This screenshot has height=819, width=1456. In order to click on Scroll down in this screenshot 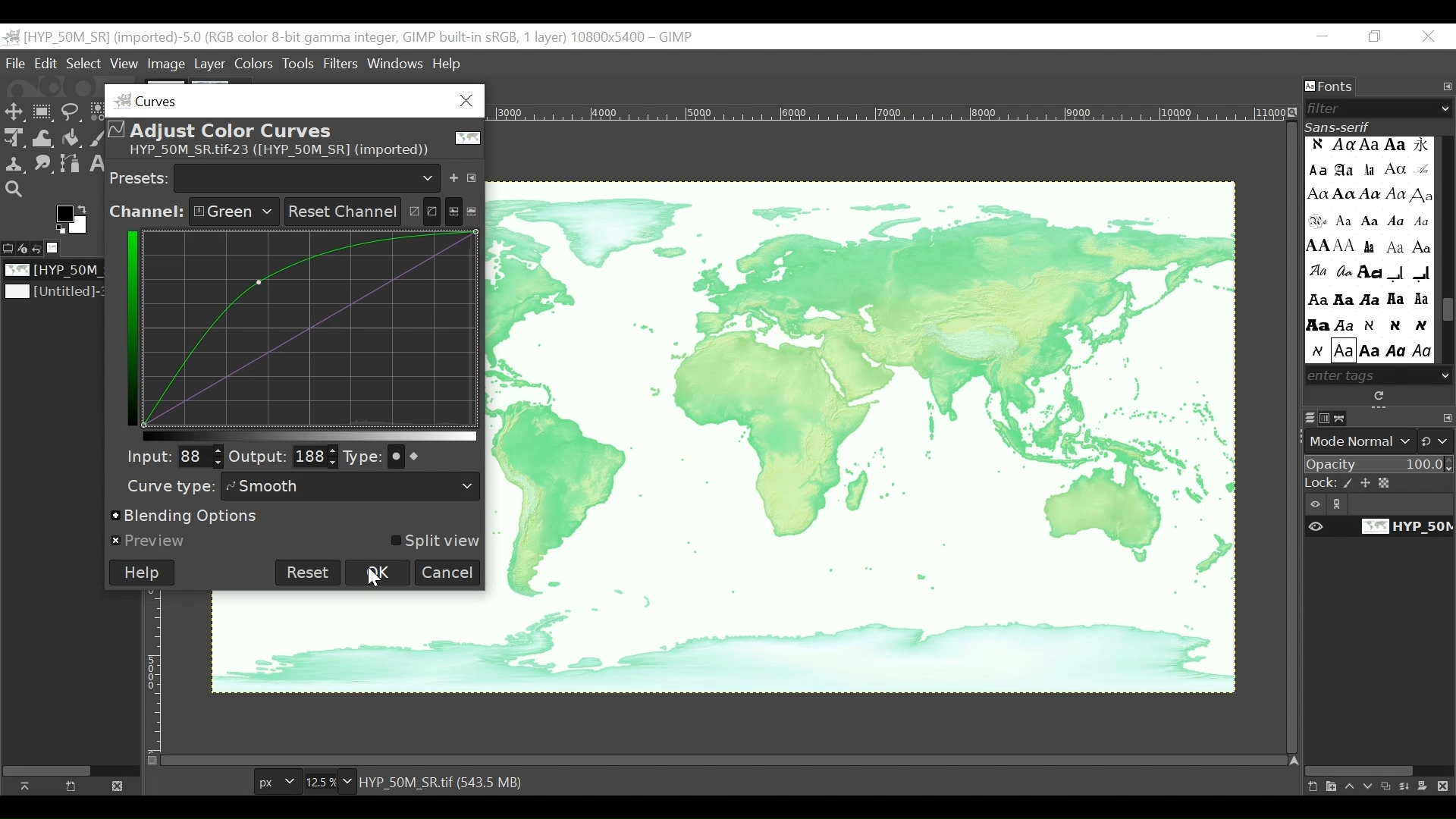, I will do `click(1446, 375)`.